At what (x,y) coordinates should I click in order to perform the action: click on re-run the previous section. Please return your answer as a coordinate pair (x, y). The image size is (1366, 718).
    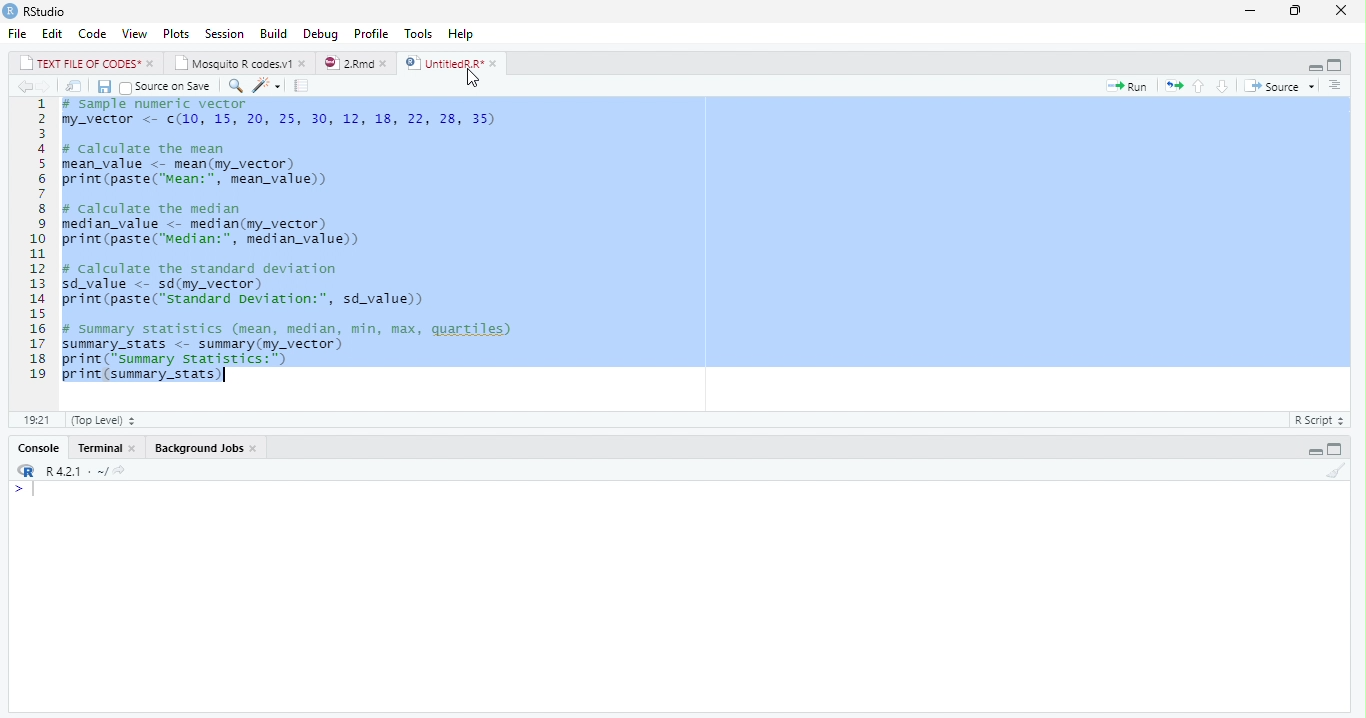
    Looking at the image, I should click on (1175, 87).